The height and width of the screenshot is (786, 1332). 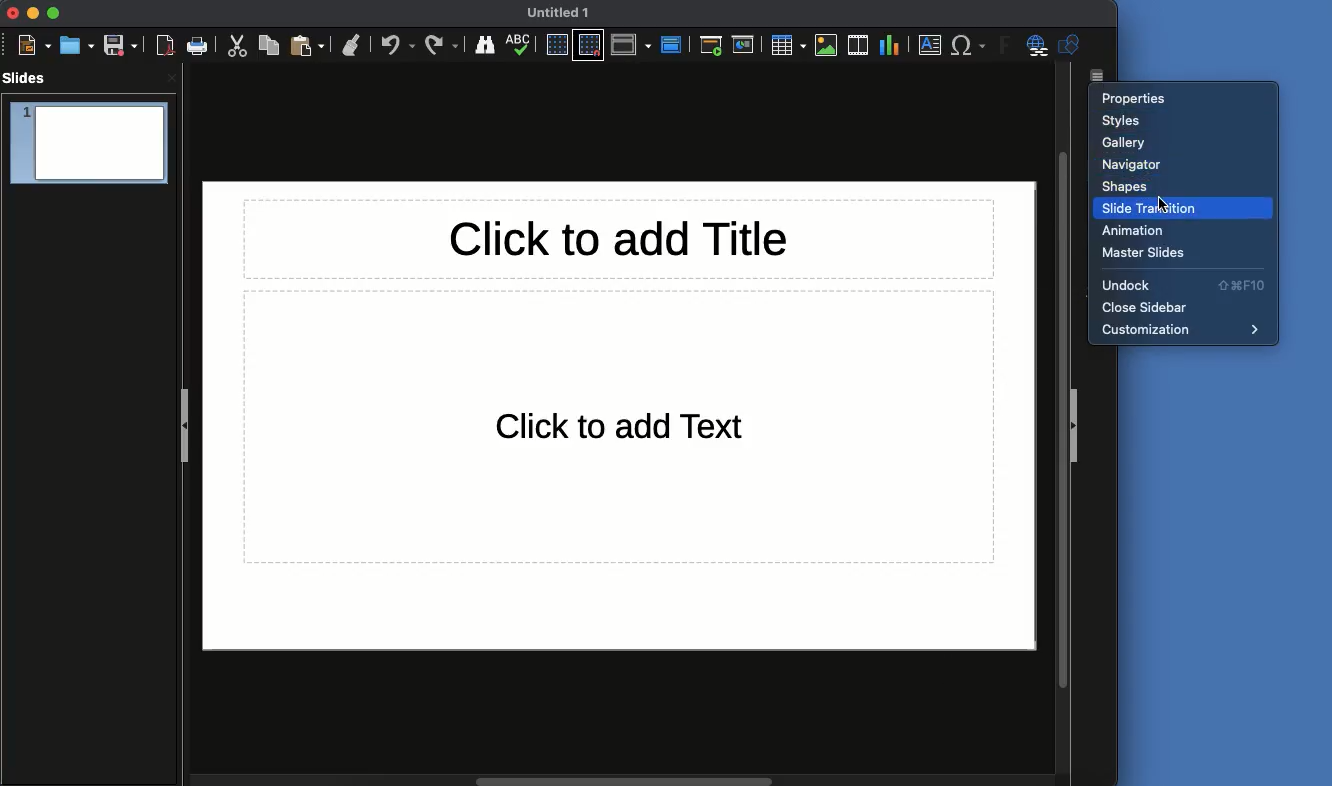 What do you see at coordinates (633, 46) in the screenshot?
I see `Display views` at bounding box center [633, 46].